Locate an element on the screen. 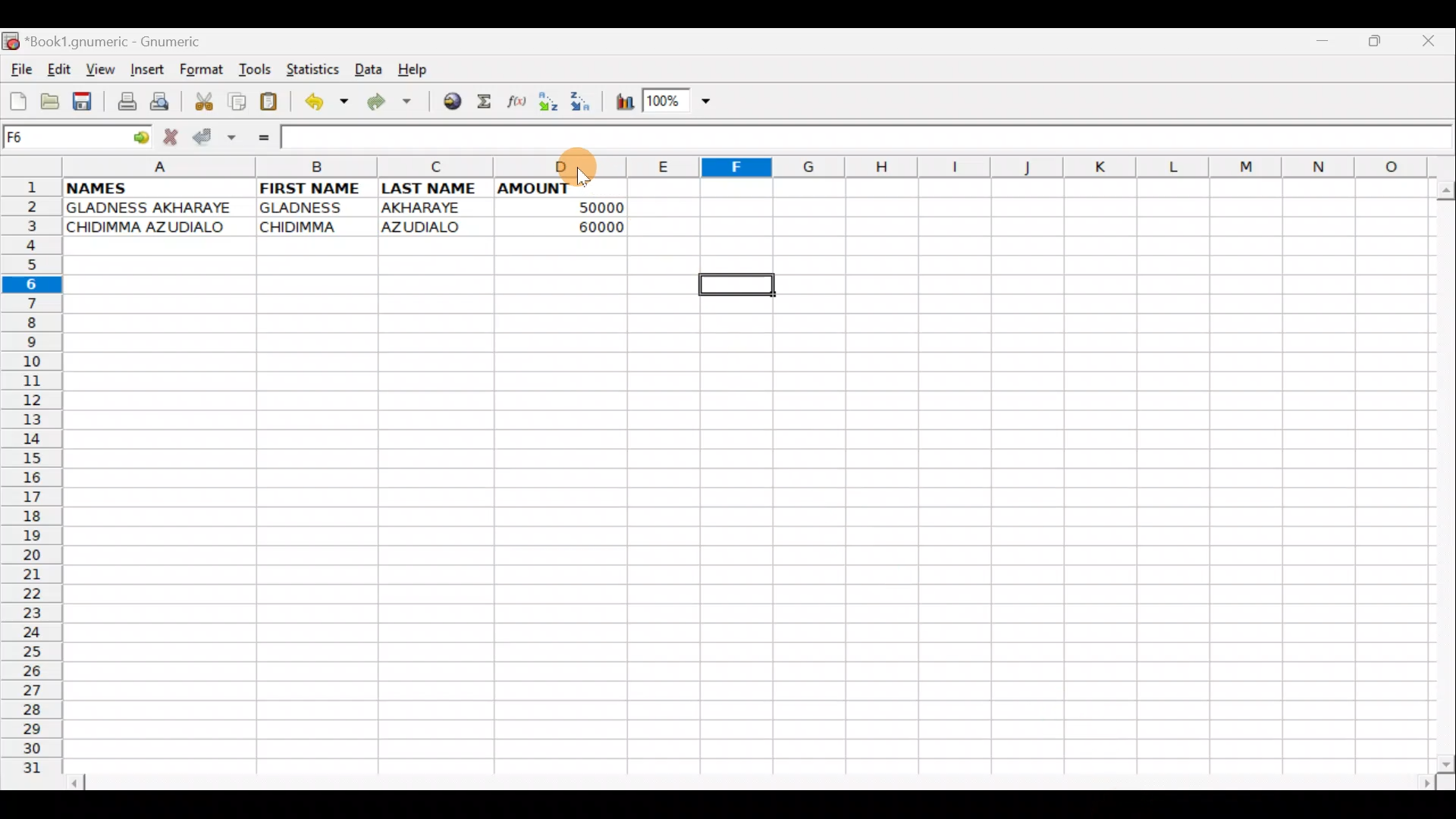 This screenshot has height=819, width=1456. Gnumeric logo is located at coordinates (11, 41).